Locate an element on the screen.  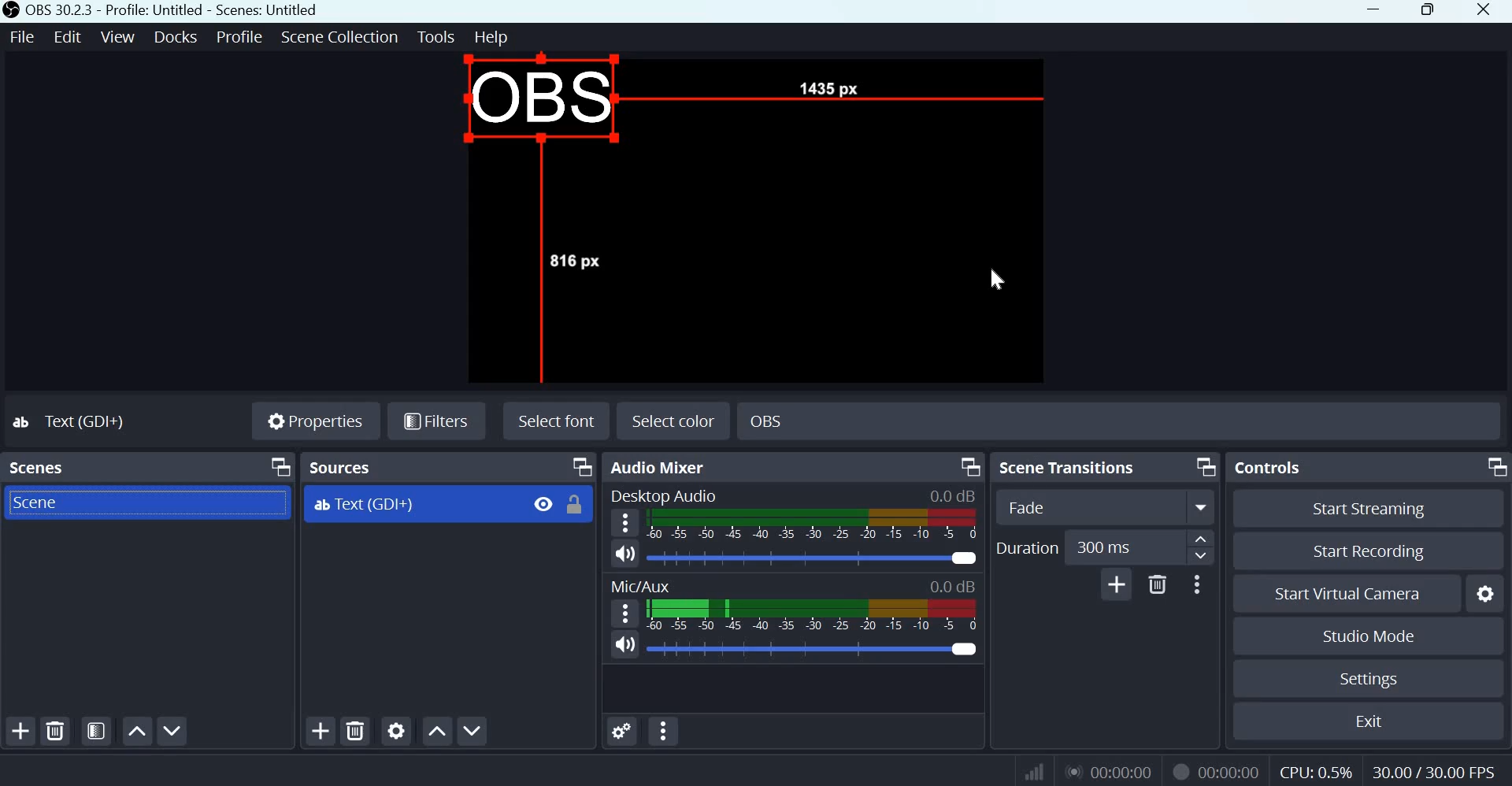
Connection Status Indicator is located at coordinates (1036, 769).